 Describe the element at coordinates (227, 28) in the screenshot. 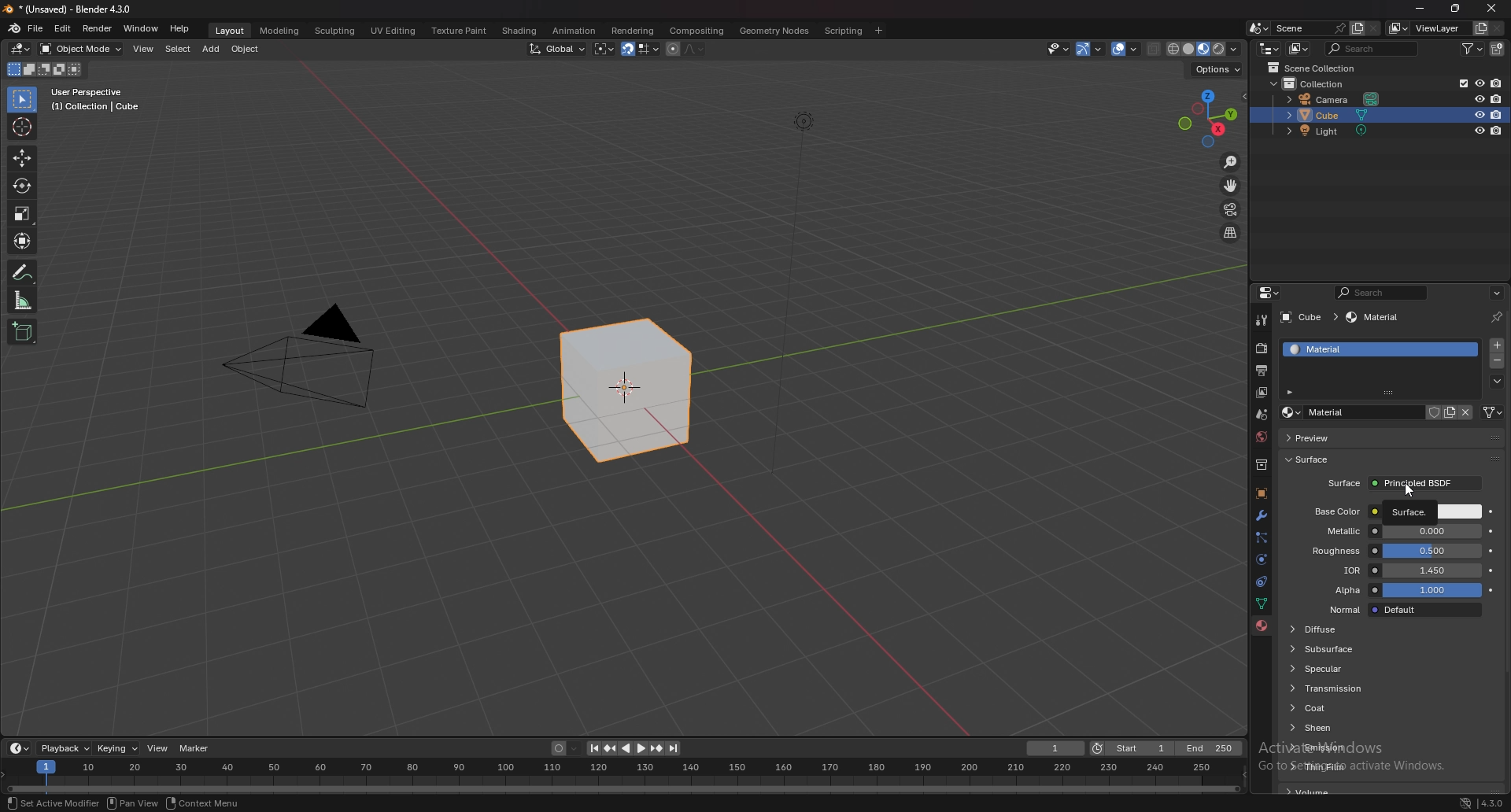

I see `layout` at that location.